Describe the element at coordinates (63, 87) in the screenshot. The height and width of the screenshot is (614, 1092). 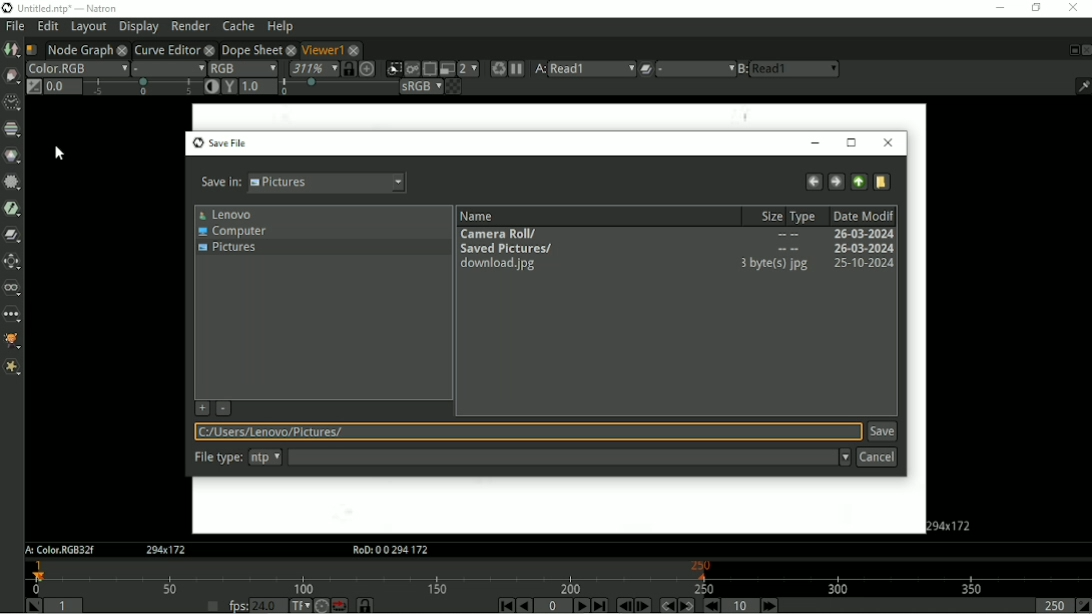
I see `Gain` at that location.